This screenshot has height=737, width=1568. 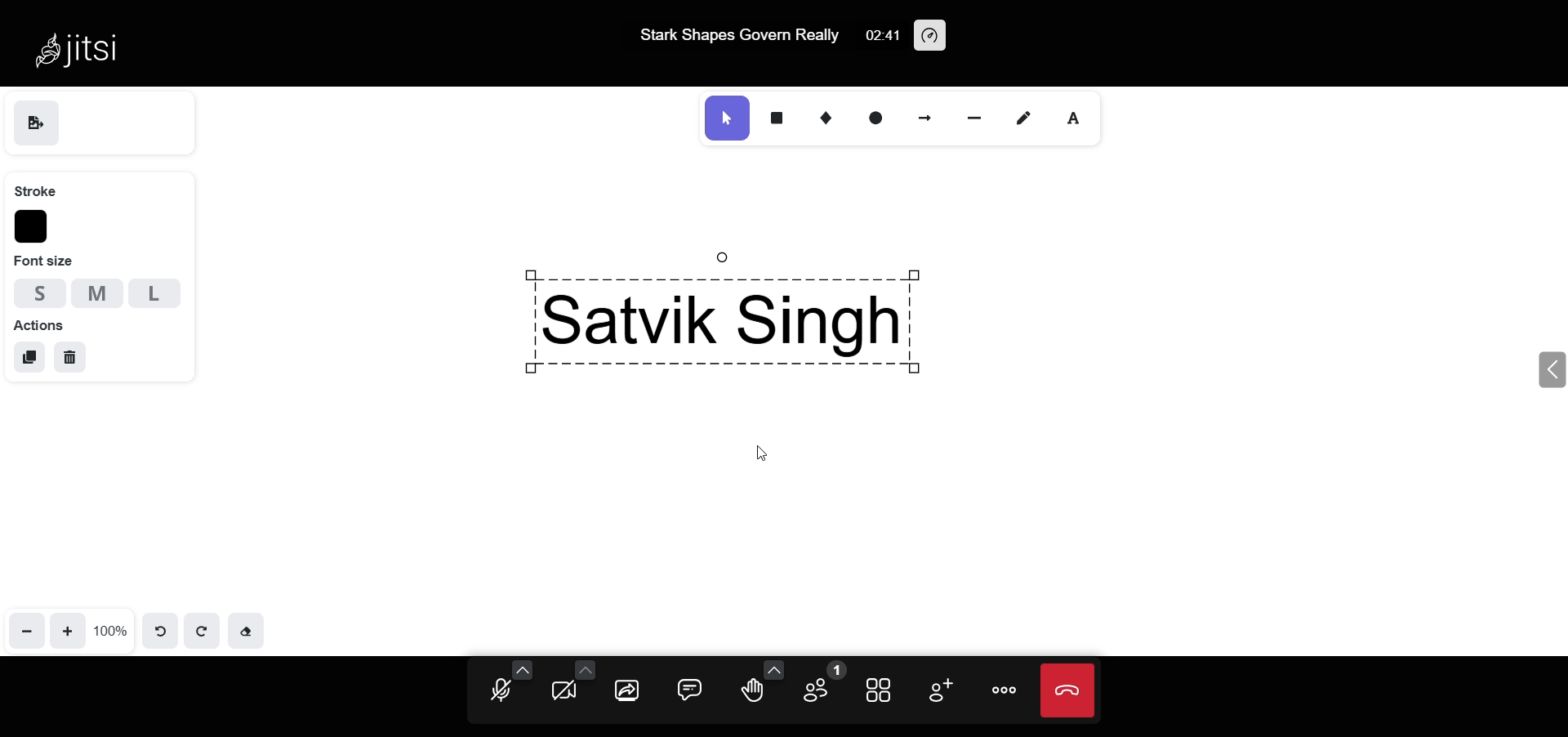 I want to click on eraser, so click(x=246, y=629).